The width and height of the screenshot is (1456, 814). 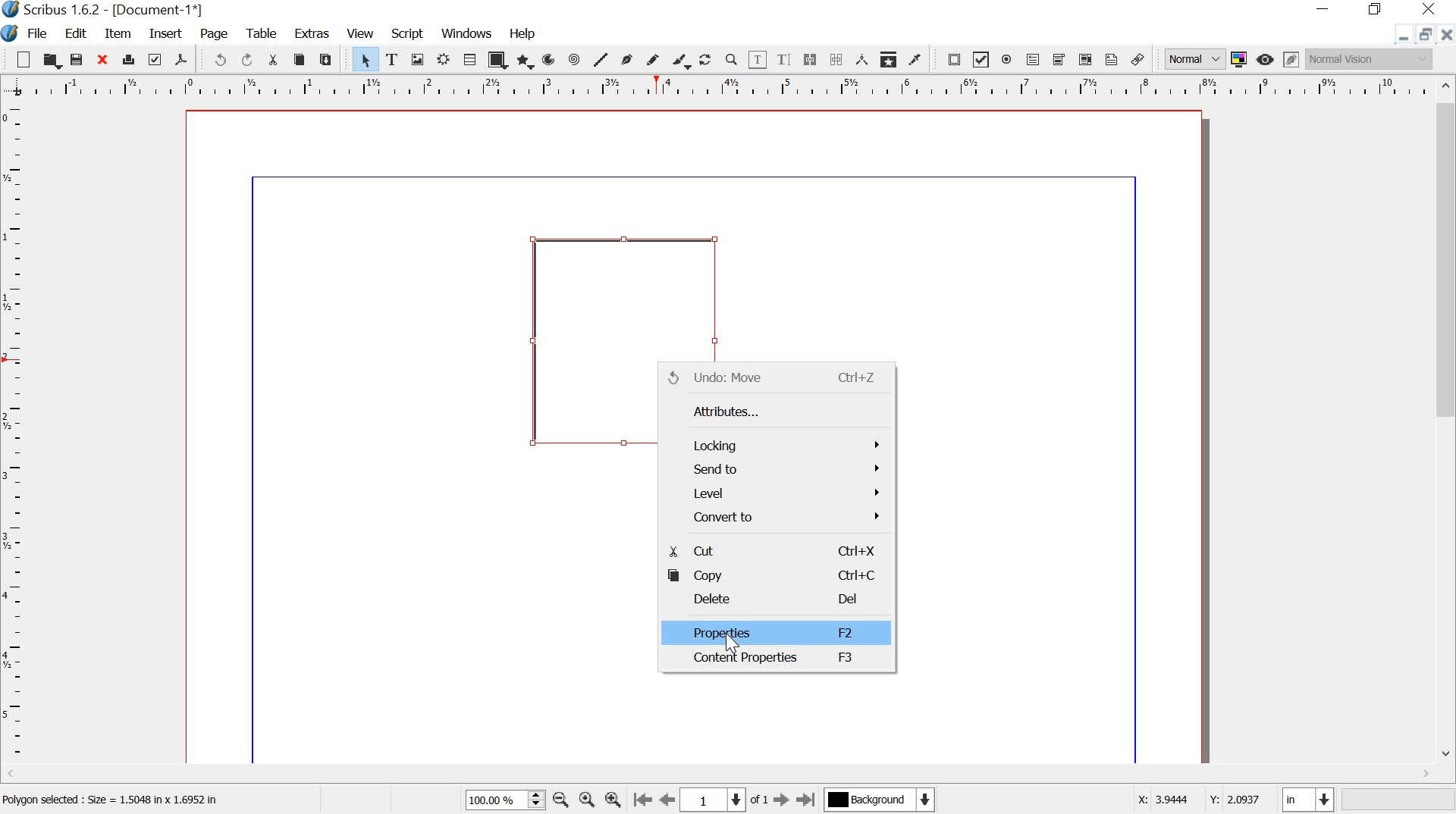 I want to click on send to, so click(x=778, y=468).